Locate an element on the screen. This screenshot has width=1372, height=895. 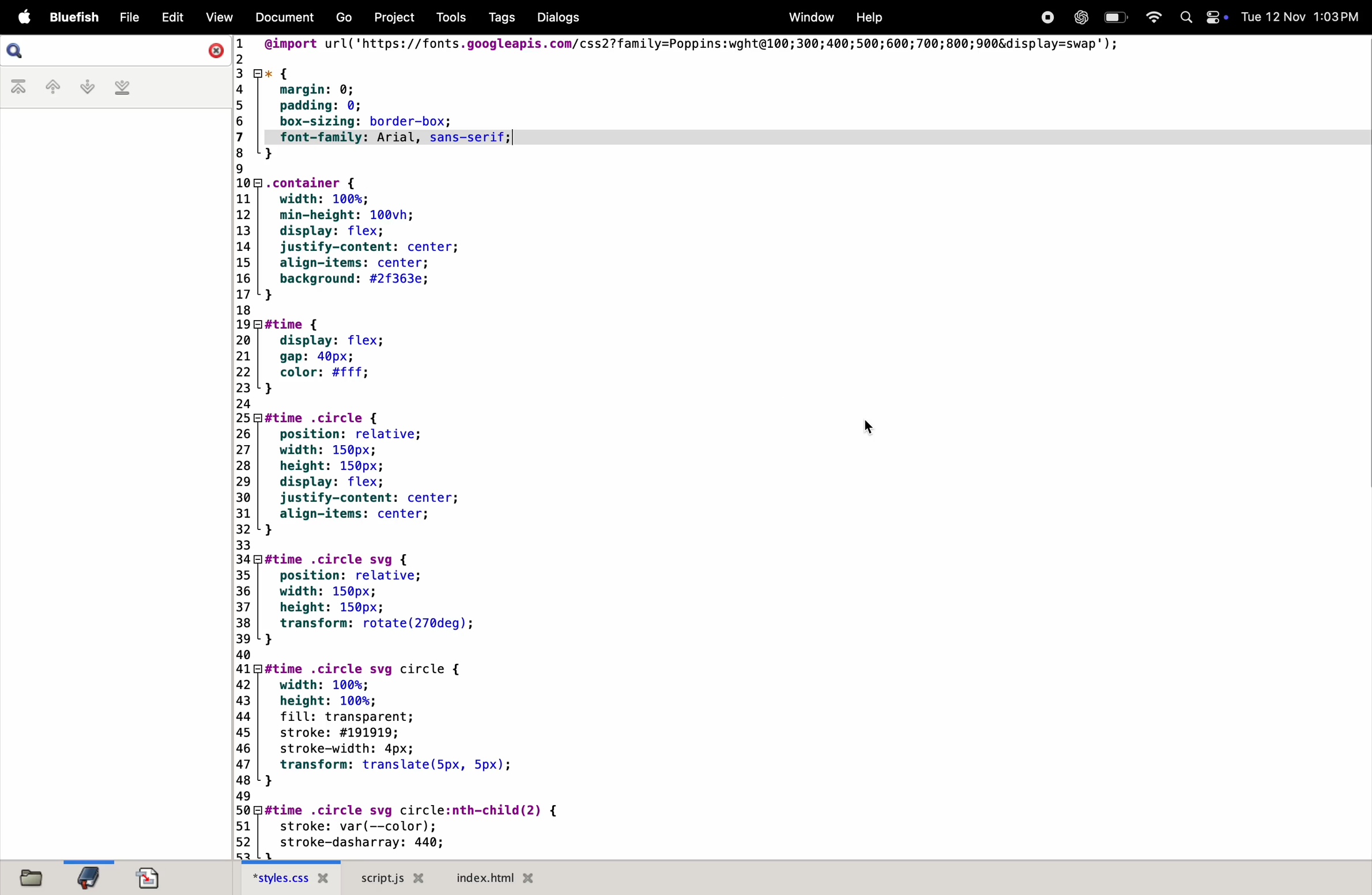
Control Centre is located at coordinates (1213, 17).